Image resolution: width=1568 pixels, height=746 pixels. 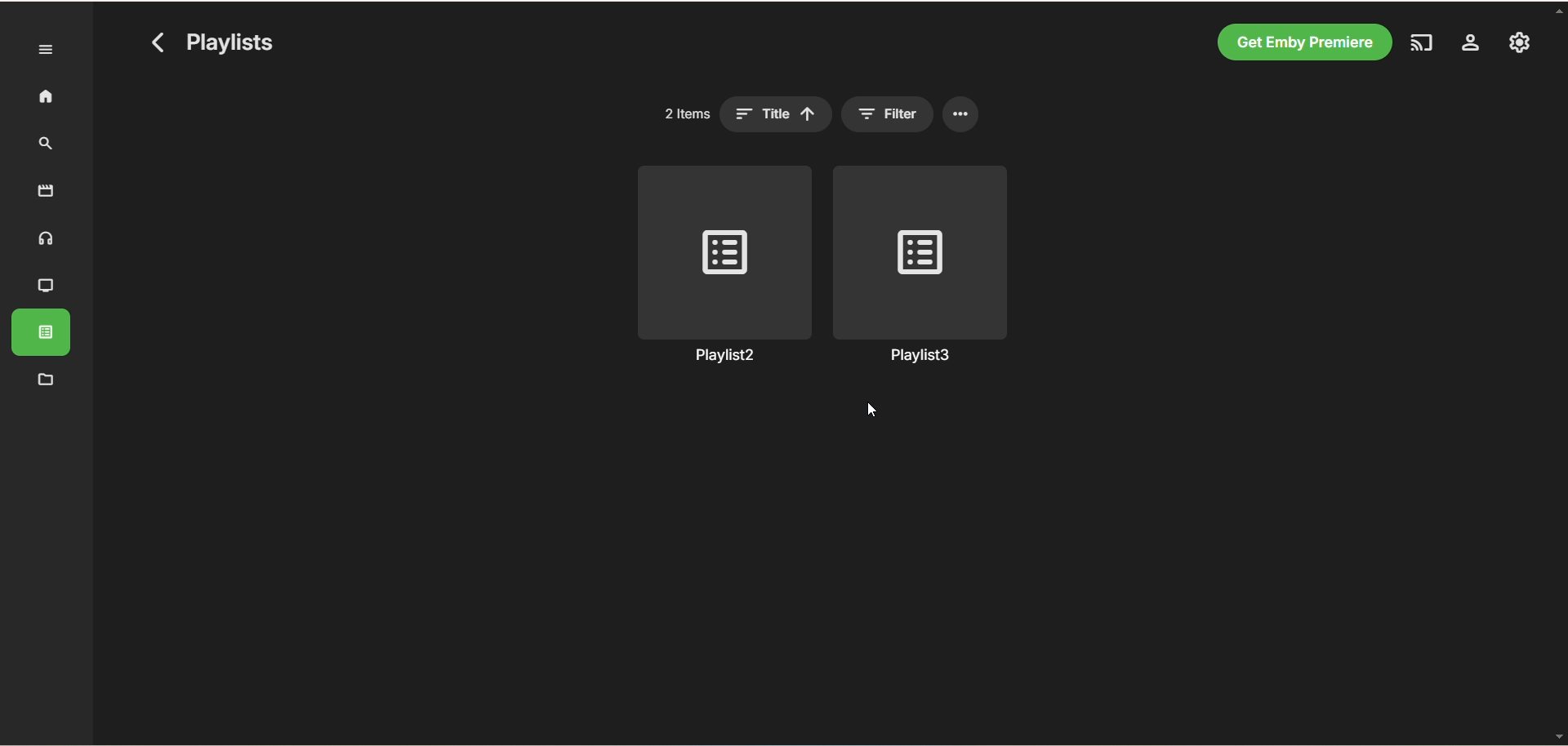 I want to click on music, so click(x=47, y=242).